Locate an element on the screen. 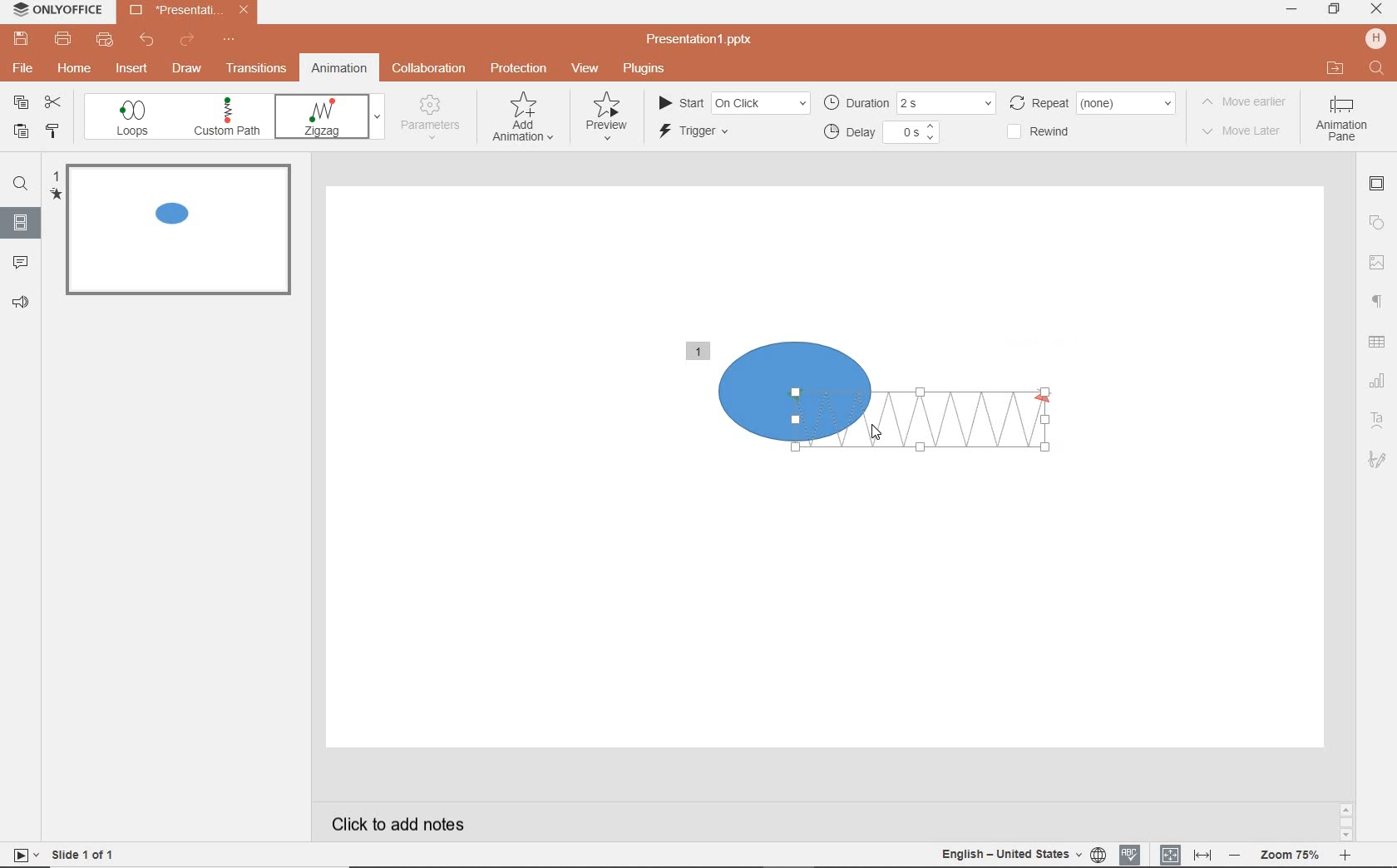  delay is located at coordinates (880, 133).